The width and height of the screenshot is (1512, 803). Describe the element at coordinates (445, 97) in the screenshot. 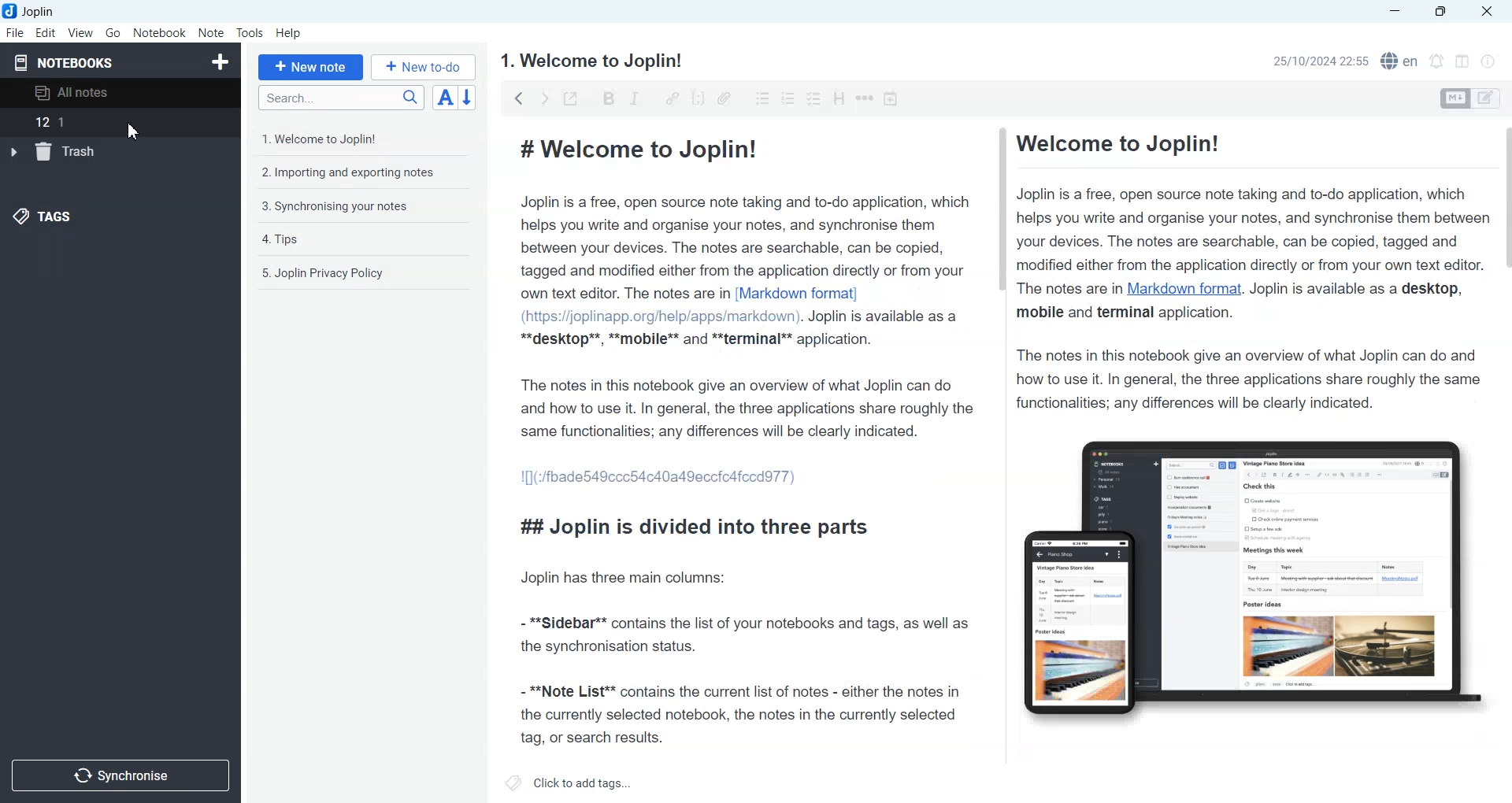

I see `Toggle sort order field` at that location.